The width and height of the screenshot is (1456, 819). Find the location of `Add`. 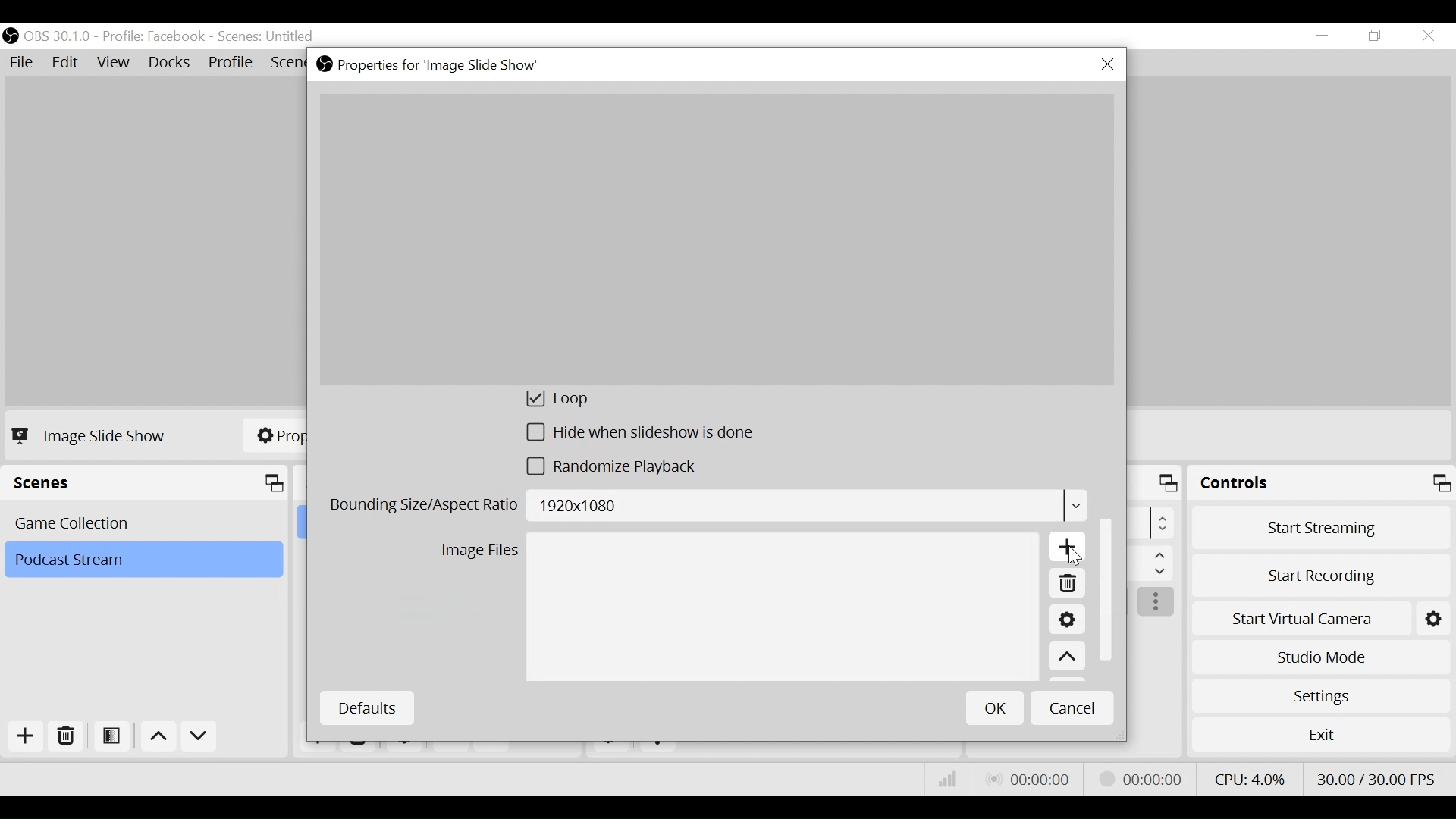

Add is located at coordinates (1068, 550).